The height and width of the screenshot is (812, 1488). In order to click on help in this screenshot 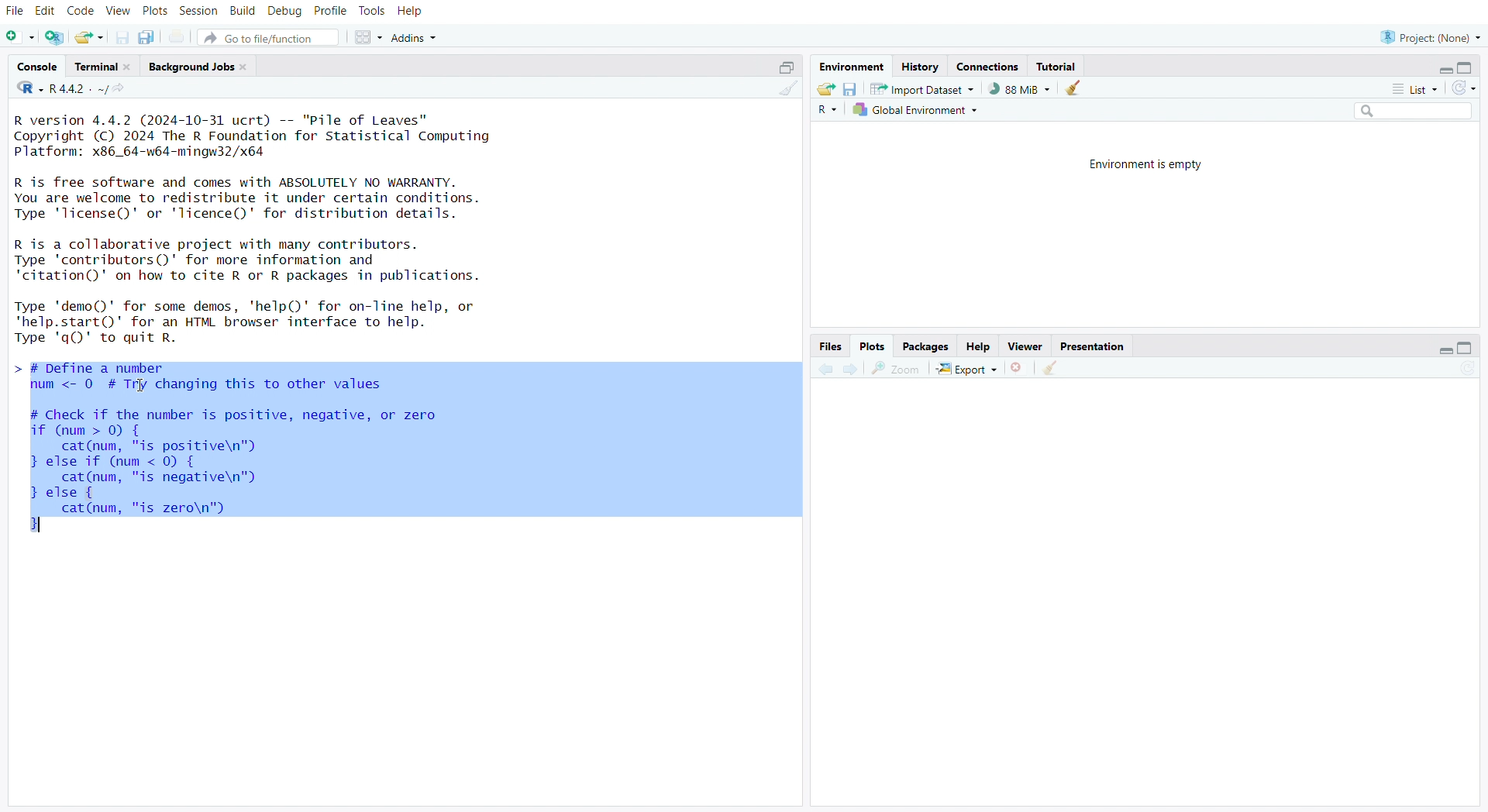, I will do `click(979, 347)`.